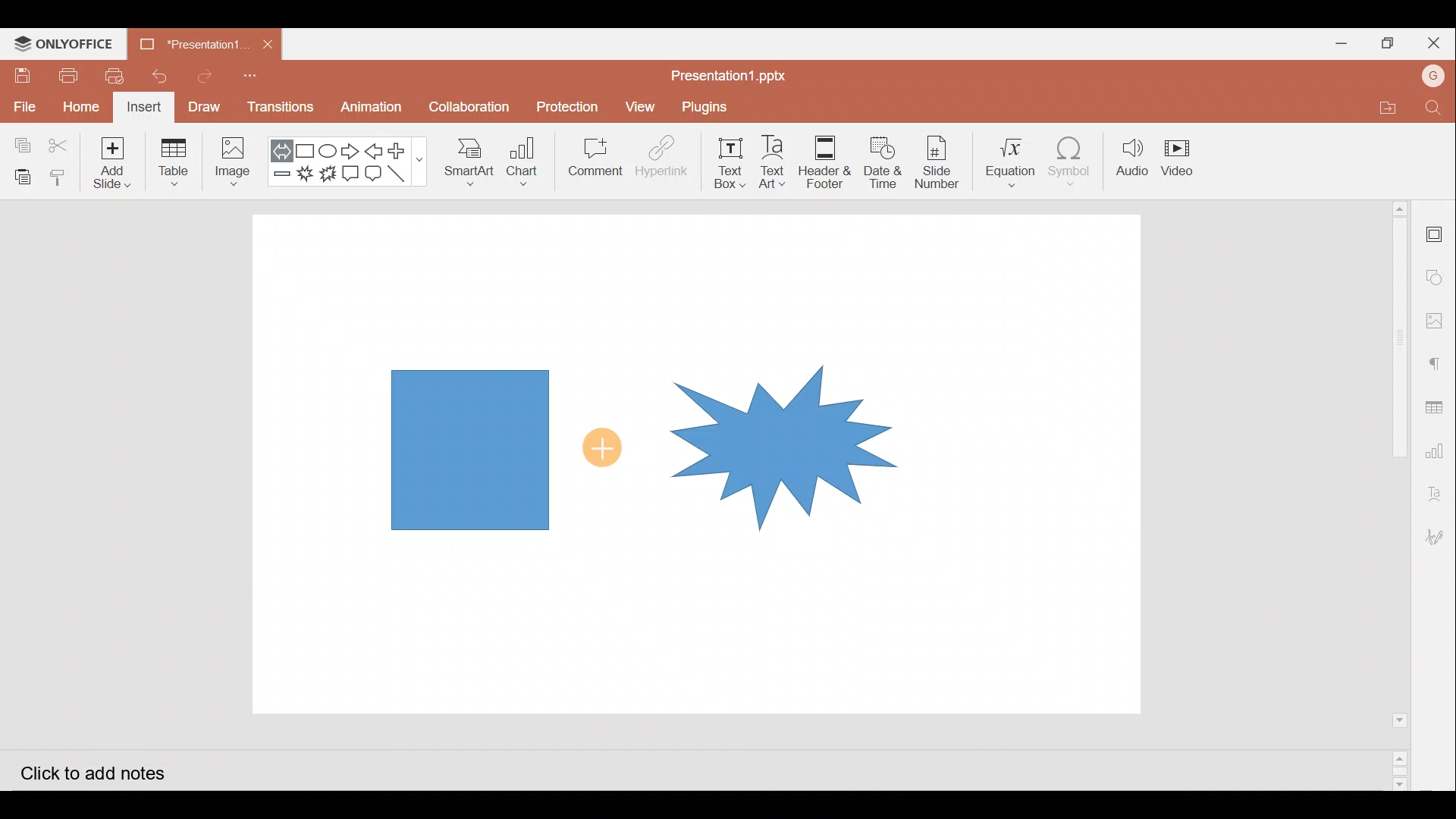  I want to click on Protection, so click(568, 104).